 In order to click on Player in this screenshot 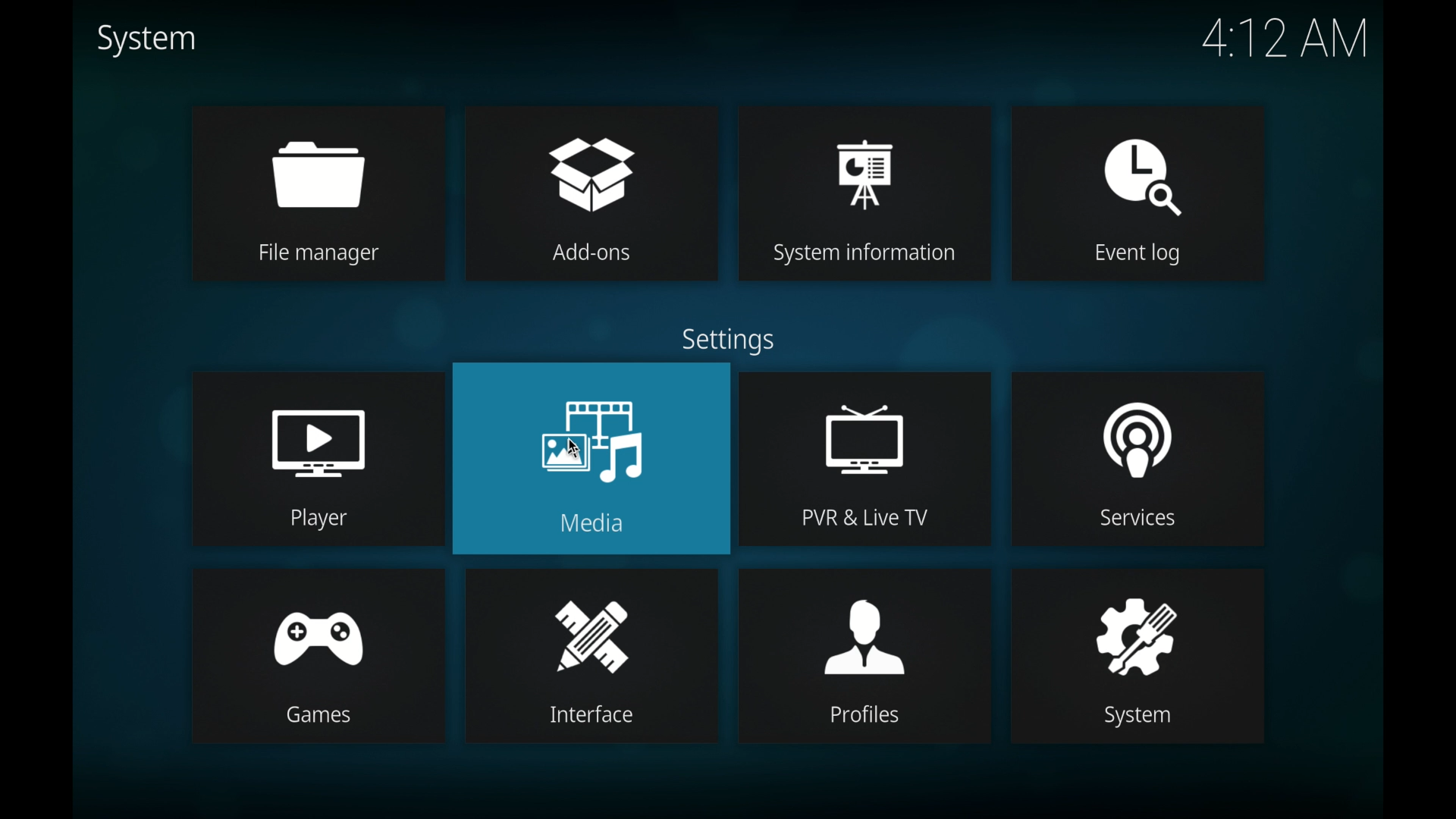, I will do `click(325, 517)`.